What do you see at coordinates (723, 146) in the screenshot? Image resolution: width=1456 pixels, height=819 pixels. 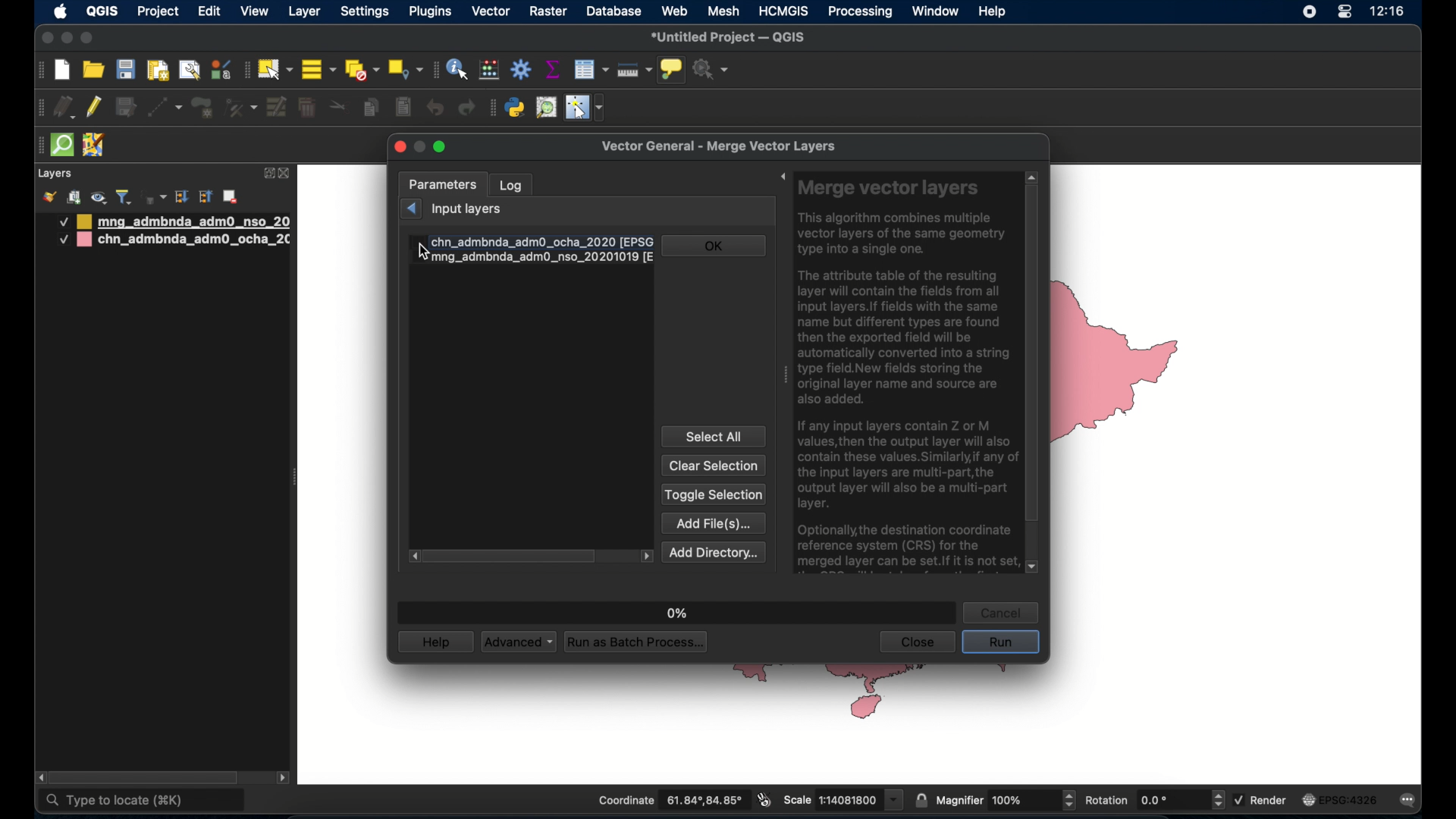 I see `vector general - merge vector layers` at bounding box center [723, 146].